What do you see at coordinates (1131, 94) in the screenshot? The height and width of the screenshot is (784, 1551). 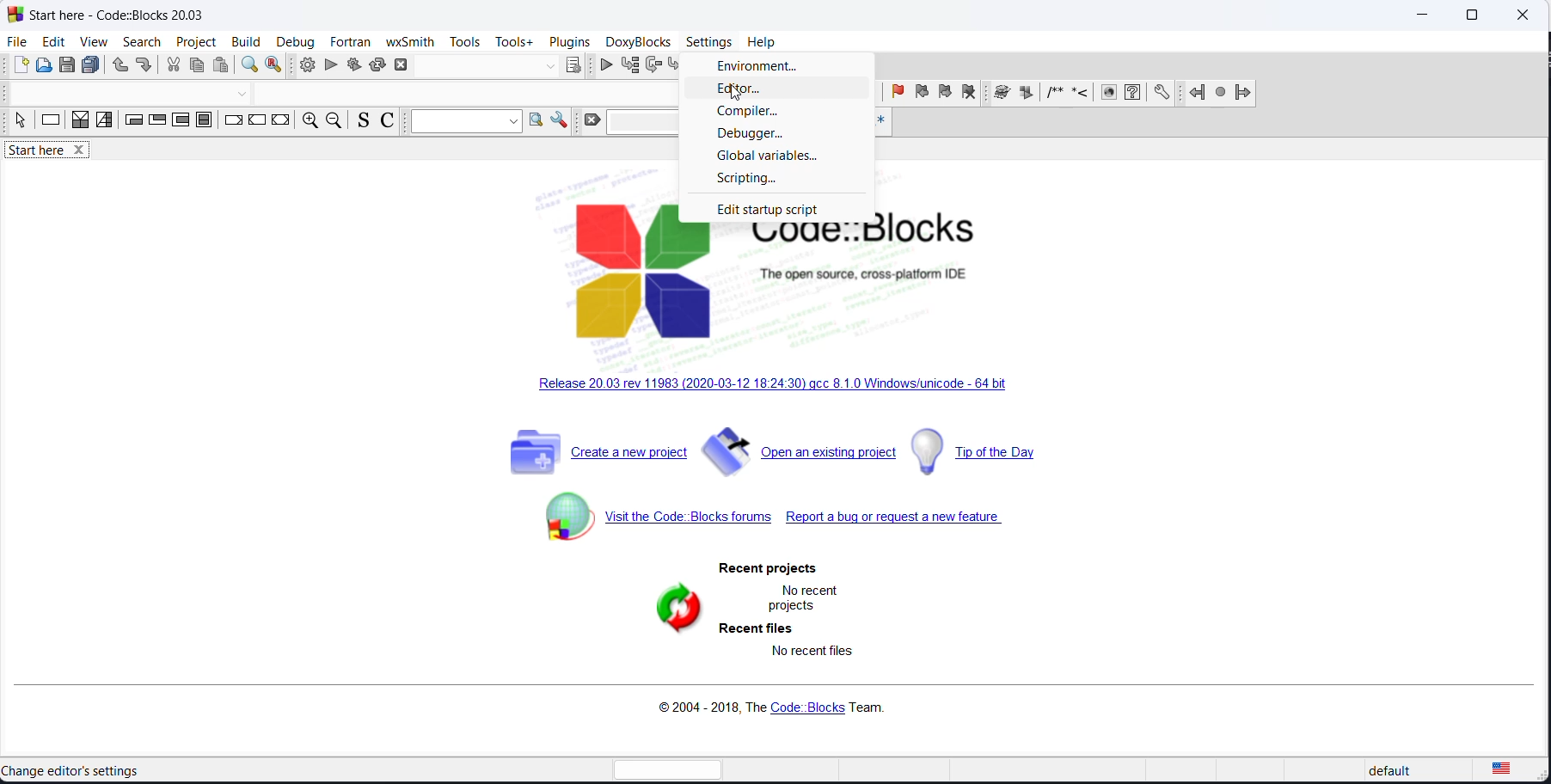 I see `questions` at bounding box center [1131, 94].